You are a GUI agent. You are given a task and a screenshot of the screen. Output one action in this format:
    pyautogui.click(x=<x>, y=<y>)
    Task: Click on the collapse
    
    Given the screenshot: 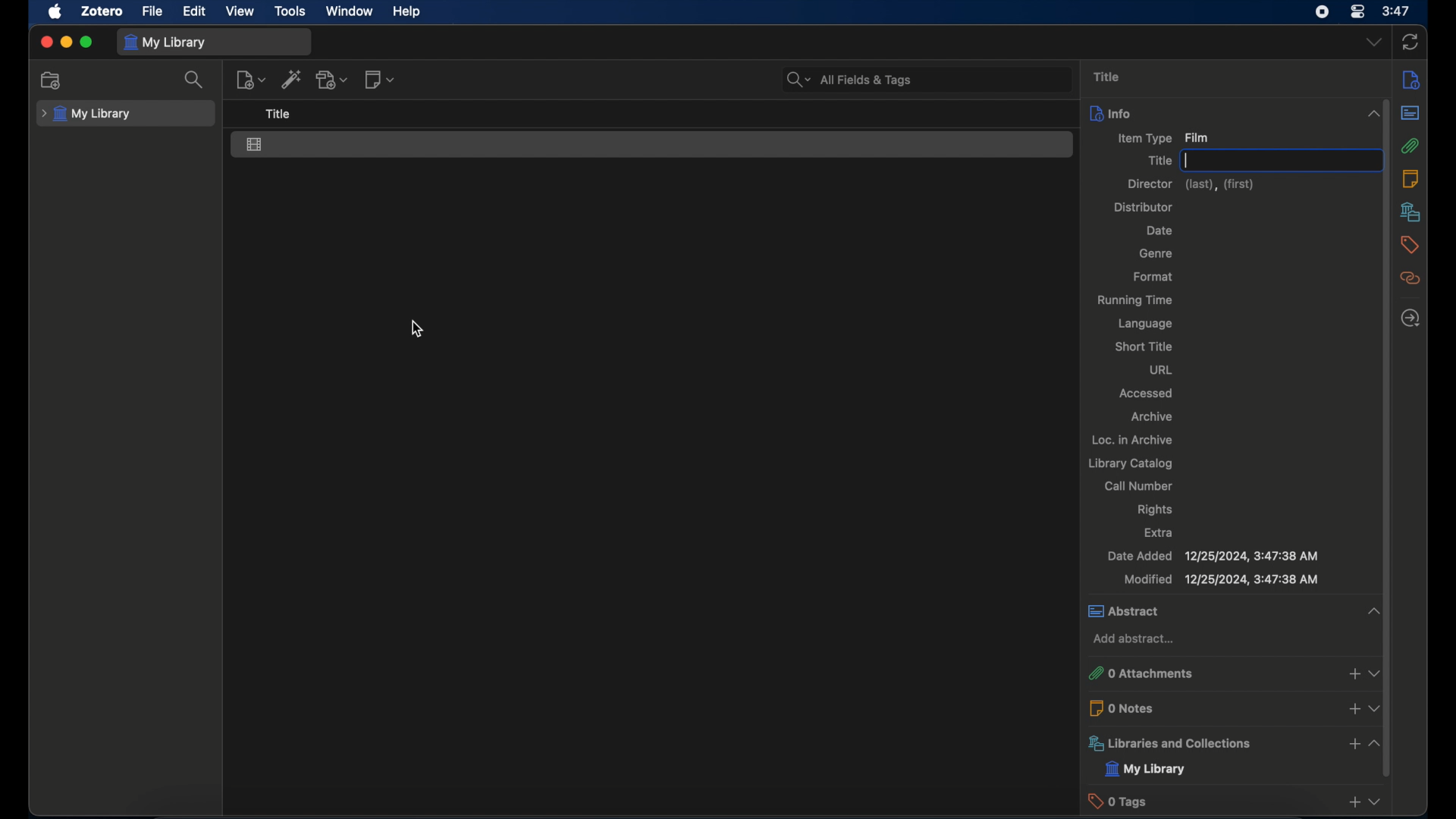 What is the action you would take?
    pyautogui.click(x=1374, y=112)
    